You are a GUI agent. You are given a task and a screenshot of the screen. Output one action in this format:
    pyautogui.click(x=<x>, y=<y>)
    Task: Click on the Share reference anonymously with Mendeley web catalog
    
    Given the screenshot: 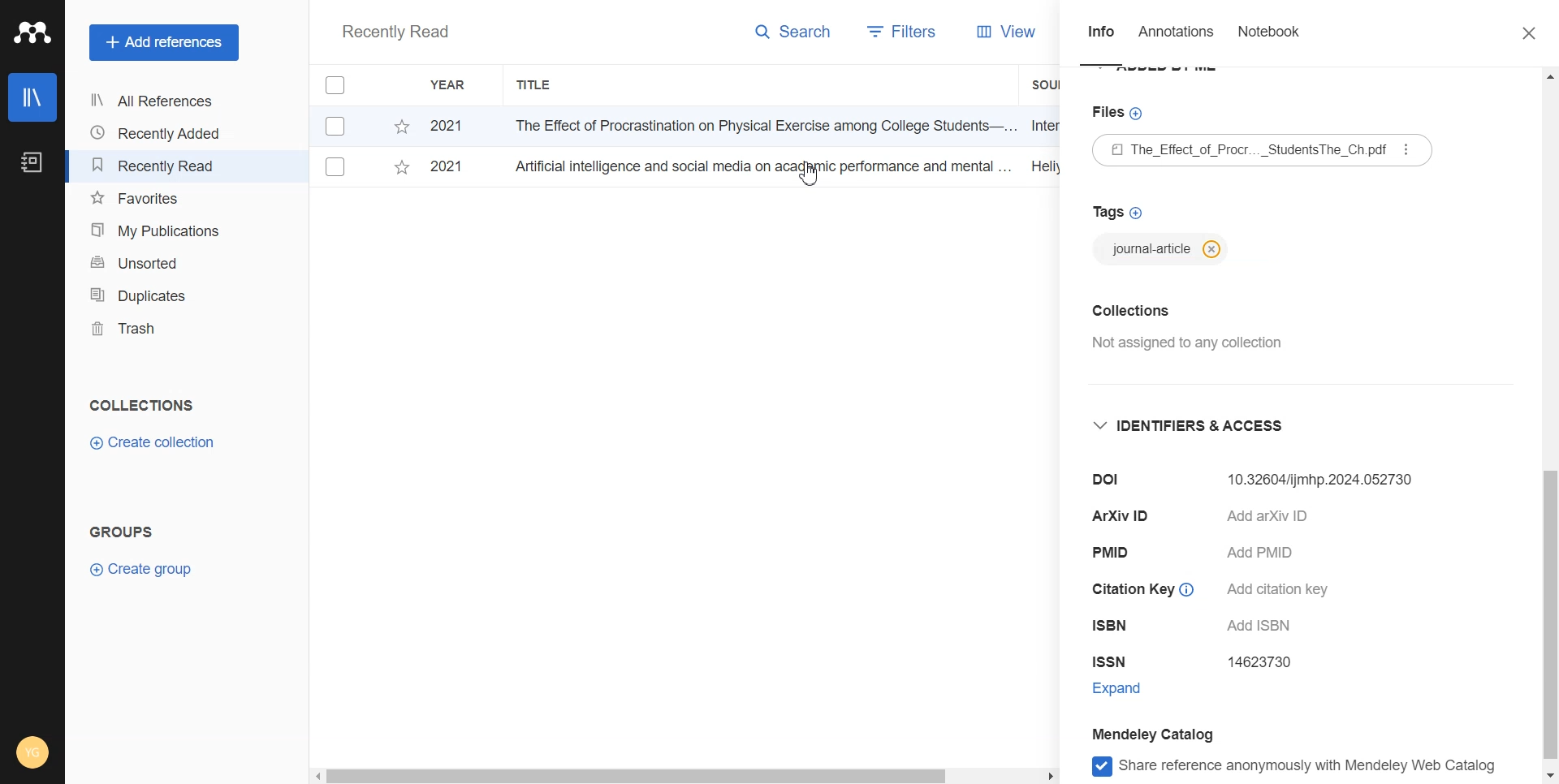 What is the action you would take?
    pyautogui.click(x=1286, y=768)
    